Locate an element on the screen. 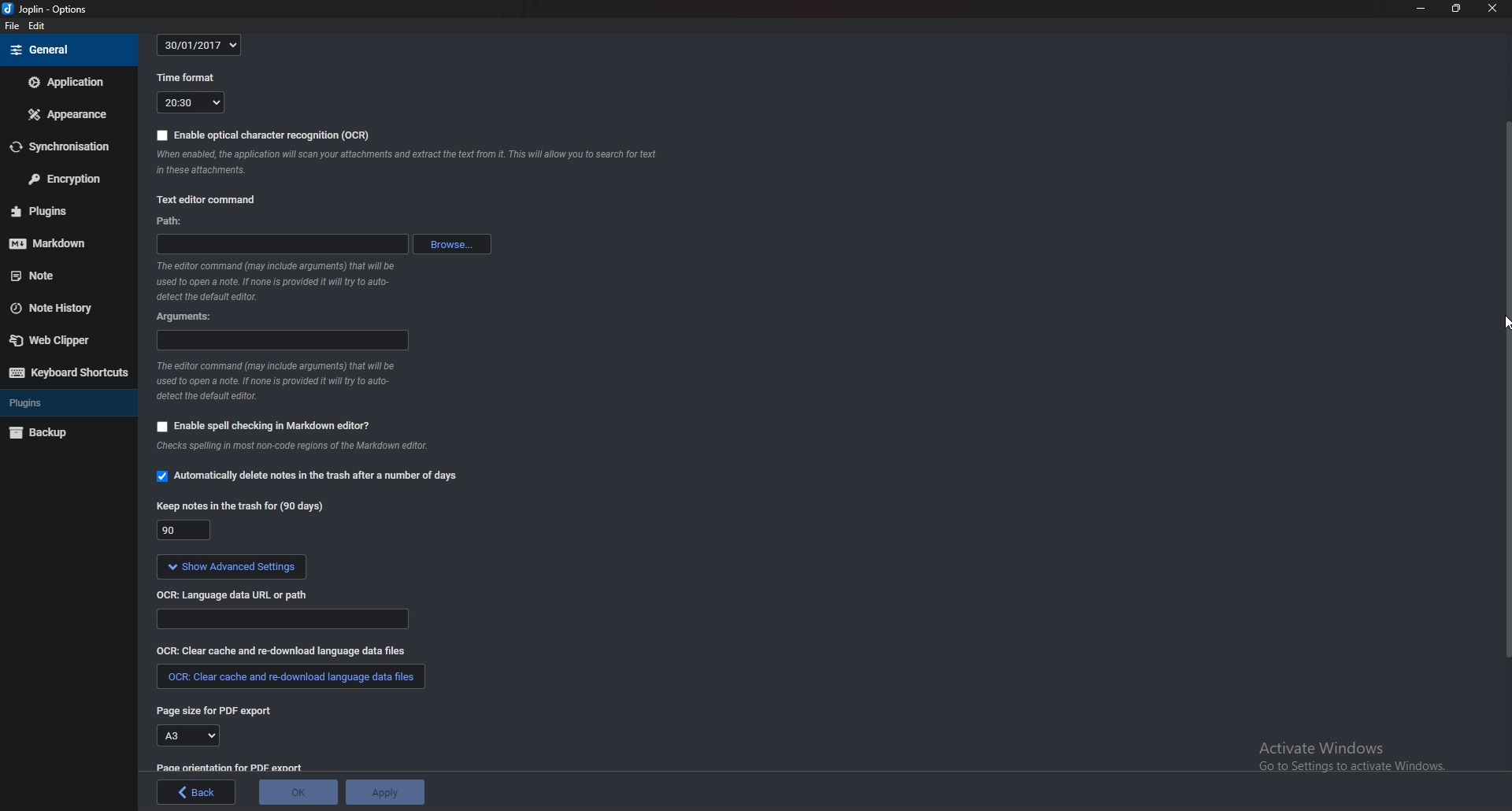  Application is located at coordinates (65, 83).